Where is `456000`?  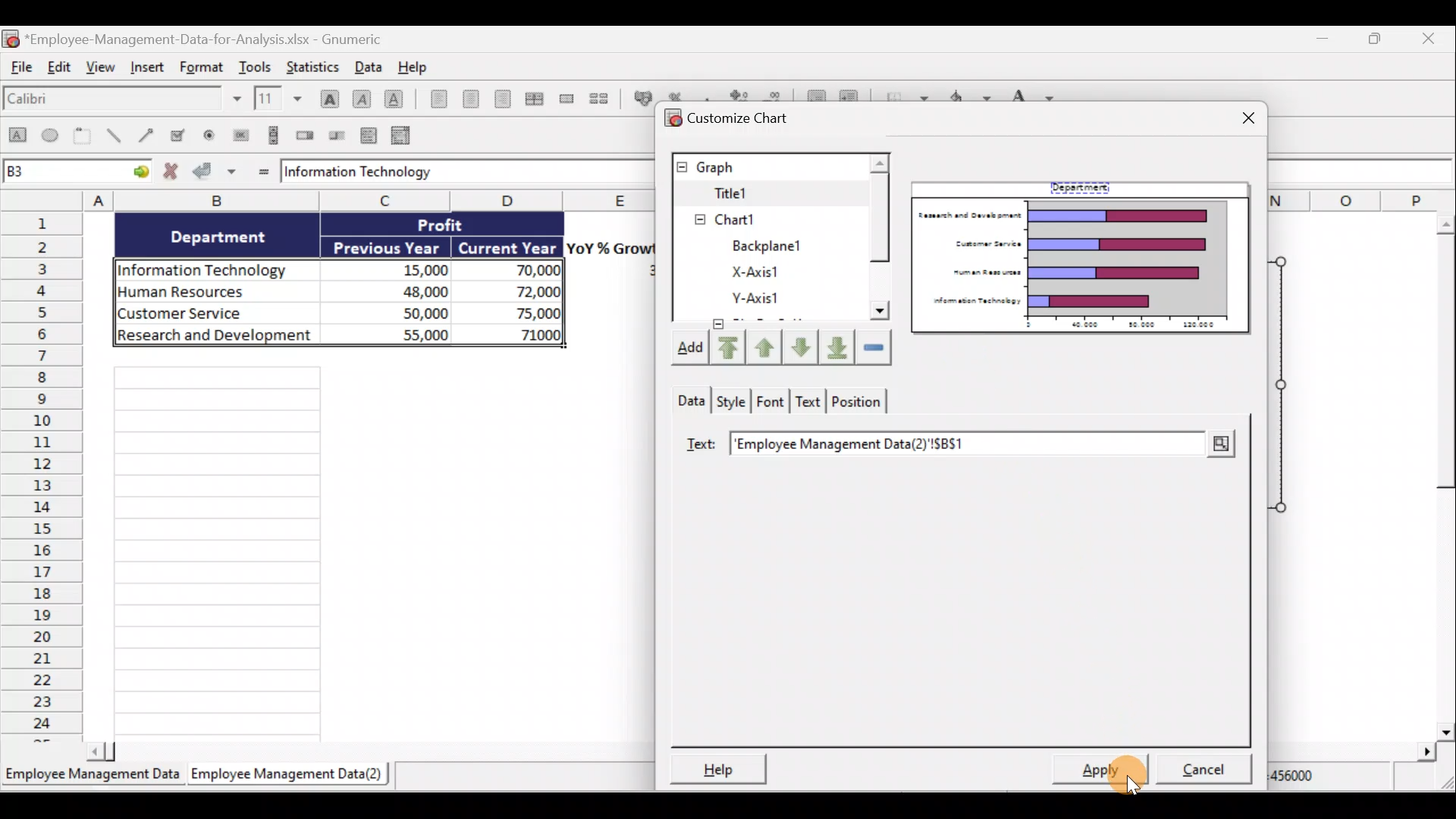 456000 is located at coordinates (1313, 780).